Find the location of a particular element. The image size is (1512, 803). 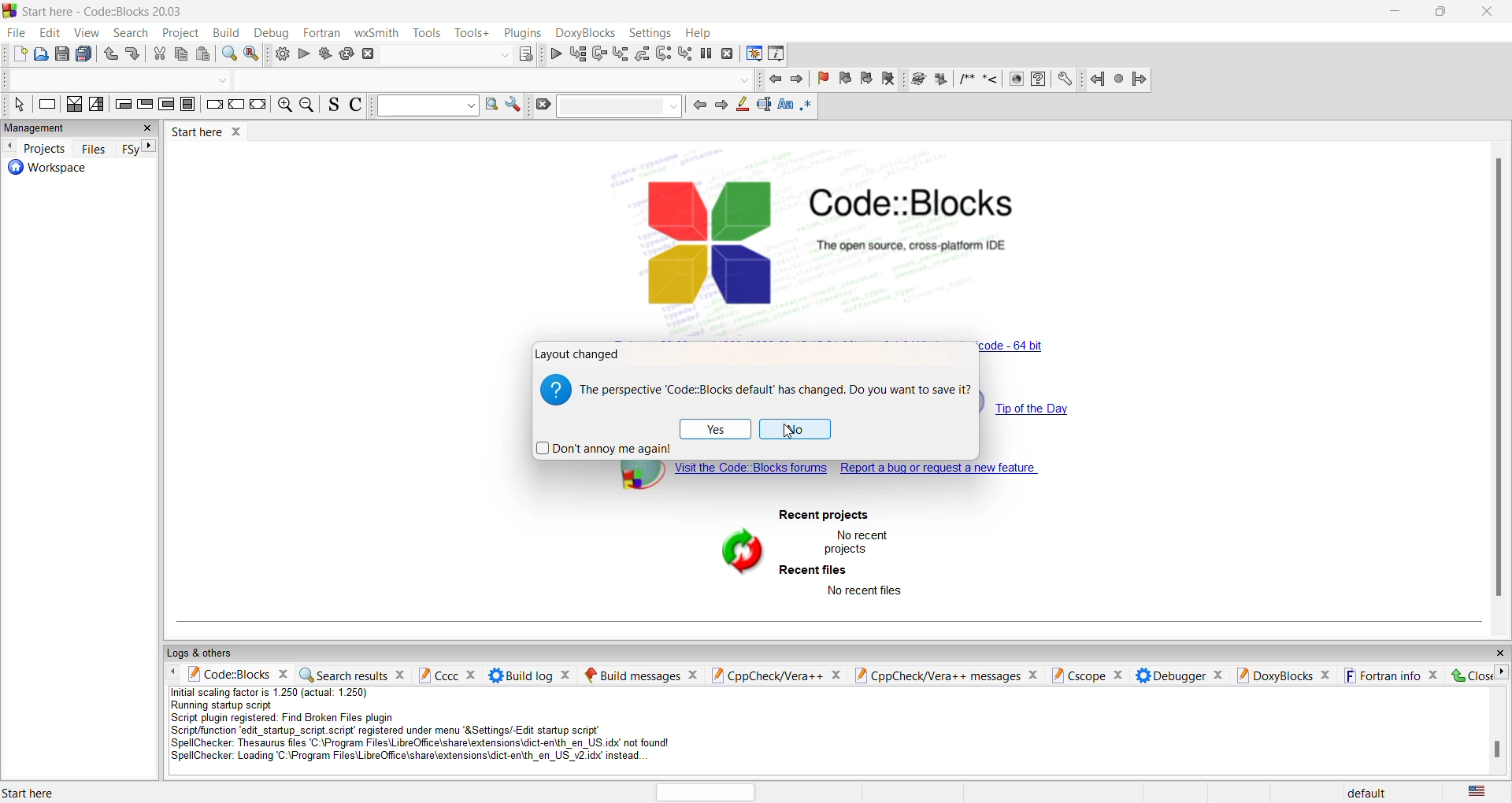

step out is located at coordinates (643, 54).